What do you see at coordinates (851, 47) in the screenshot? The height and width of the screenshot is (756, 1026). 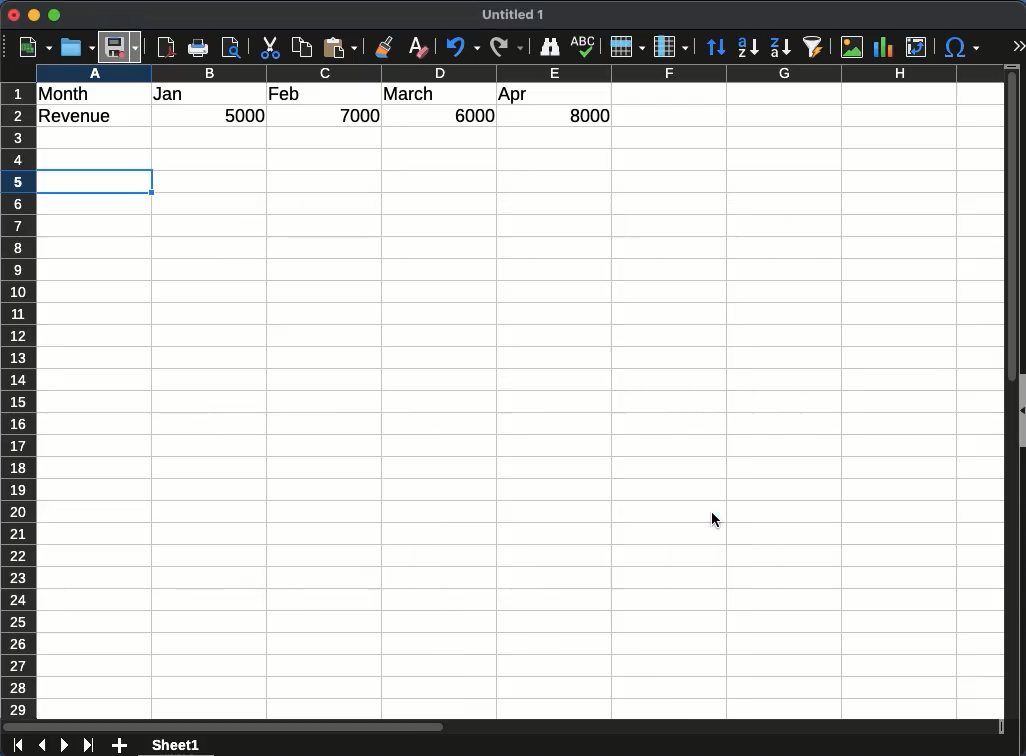 I see `image` at bounding box center [851, 47].